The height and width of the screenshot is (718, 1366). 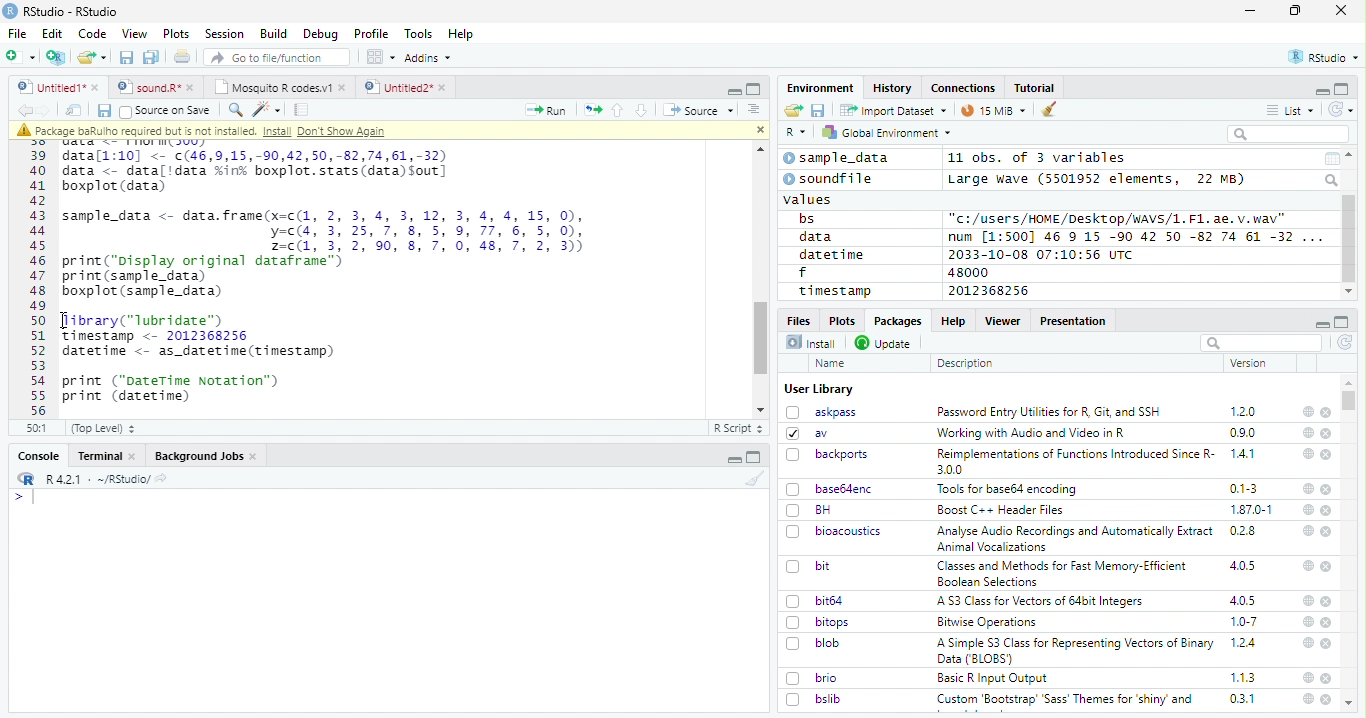 I want to click on Build, so click(x=273, y=34).